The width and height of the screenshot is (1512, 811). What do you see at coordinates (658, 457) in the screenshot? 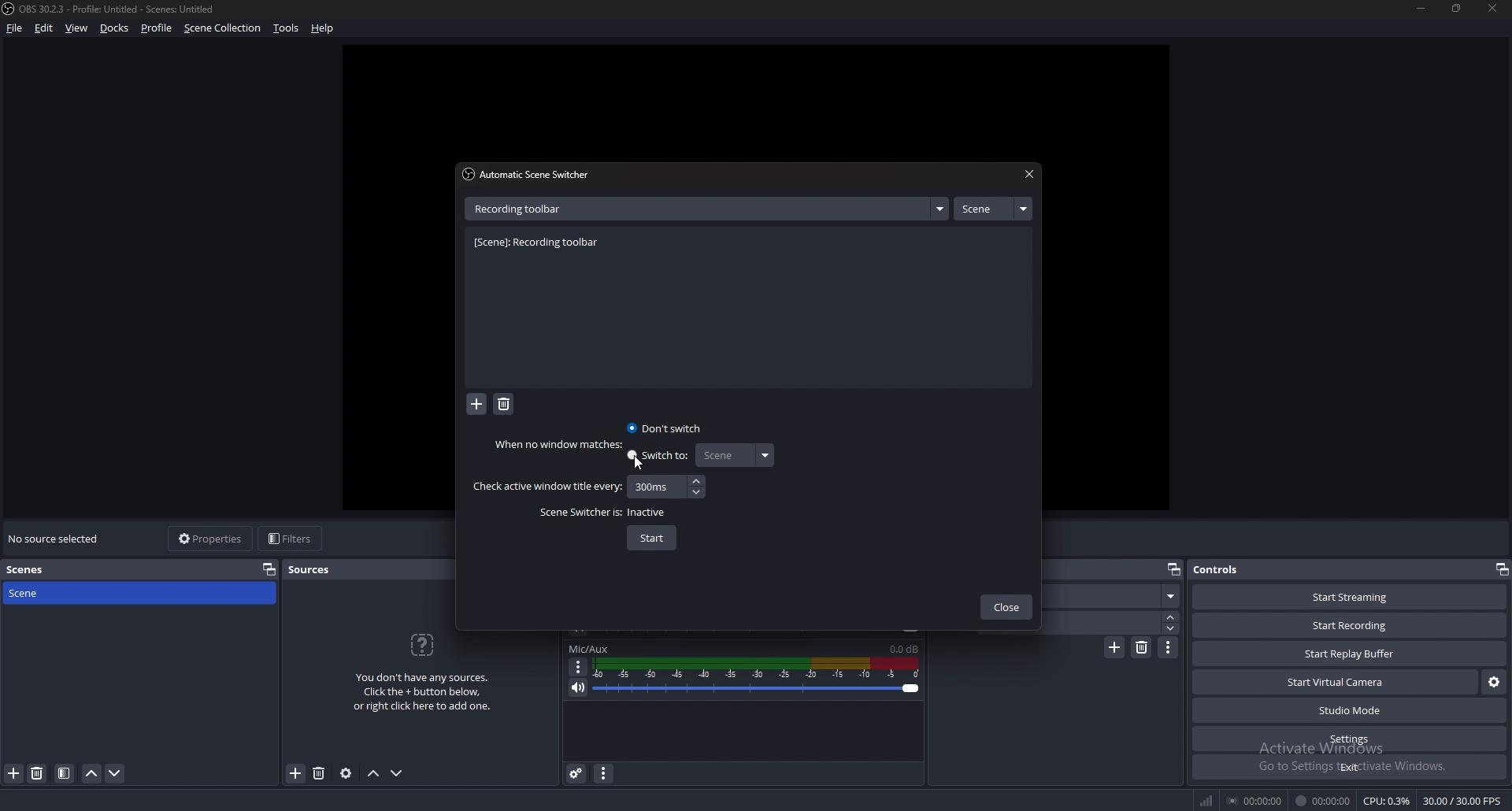
I see `switch to` at bounding box center [658, 457].